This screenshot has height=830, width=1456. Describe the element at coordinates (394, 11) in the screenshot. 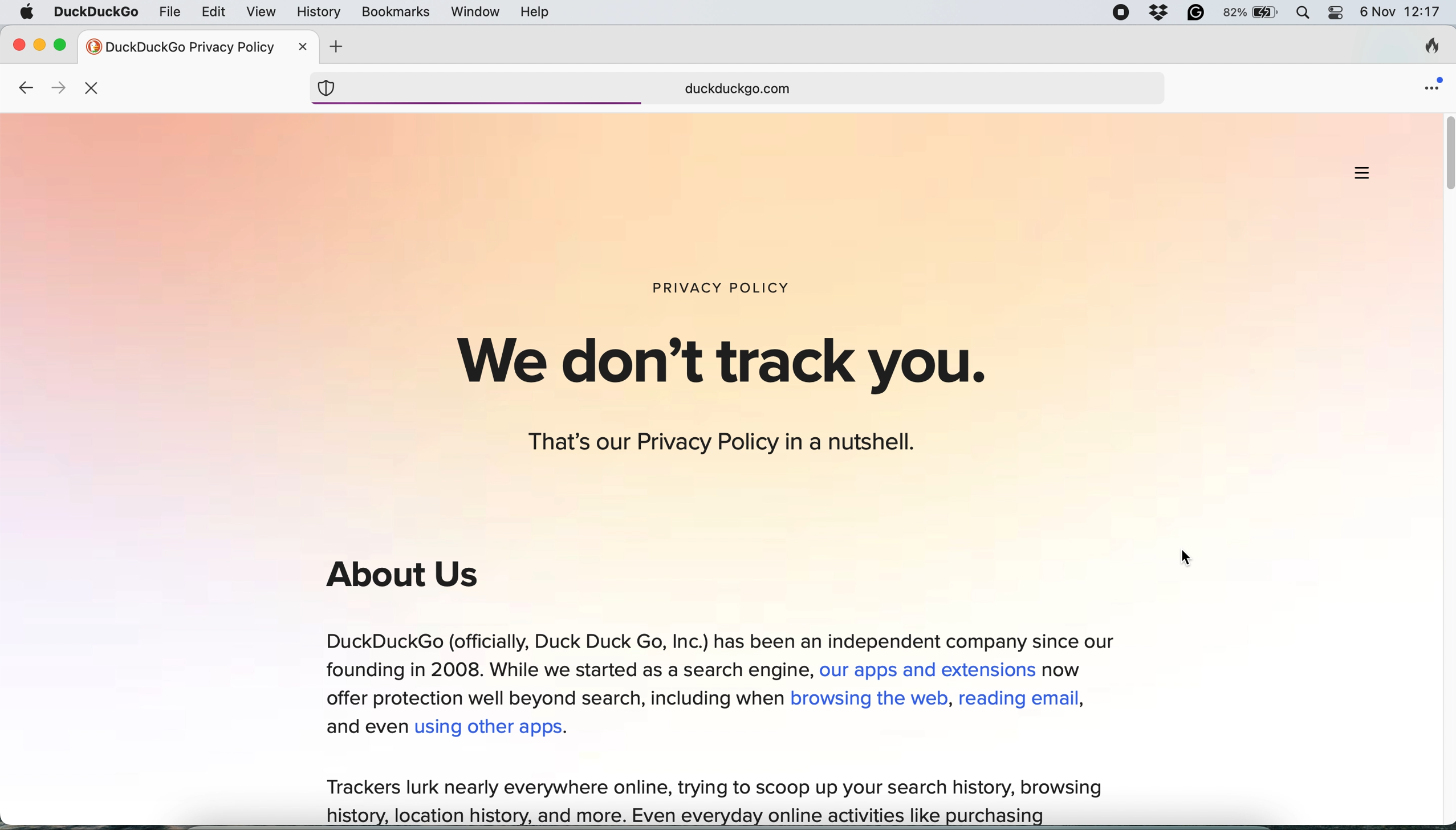

I see `bookmarks` at that location.